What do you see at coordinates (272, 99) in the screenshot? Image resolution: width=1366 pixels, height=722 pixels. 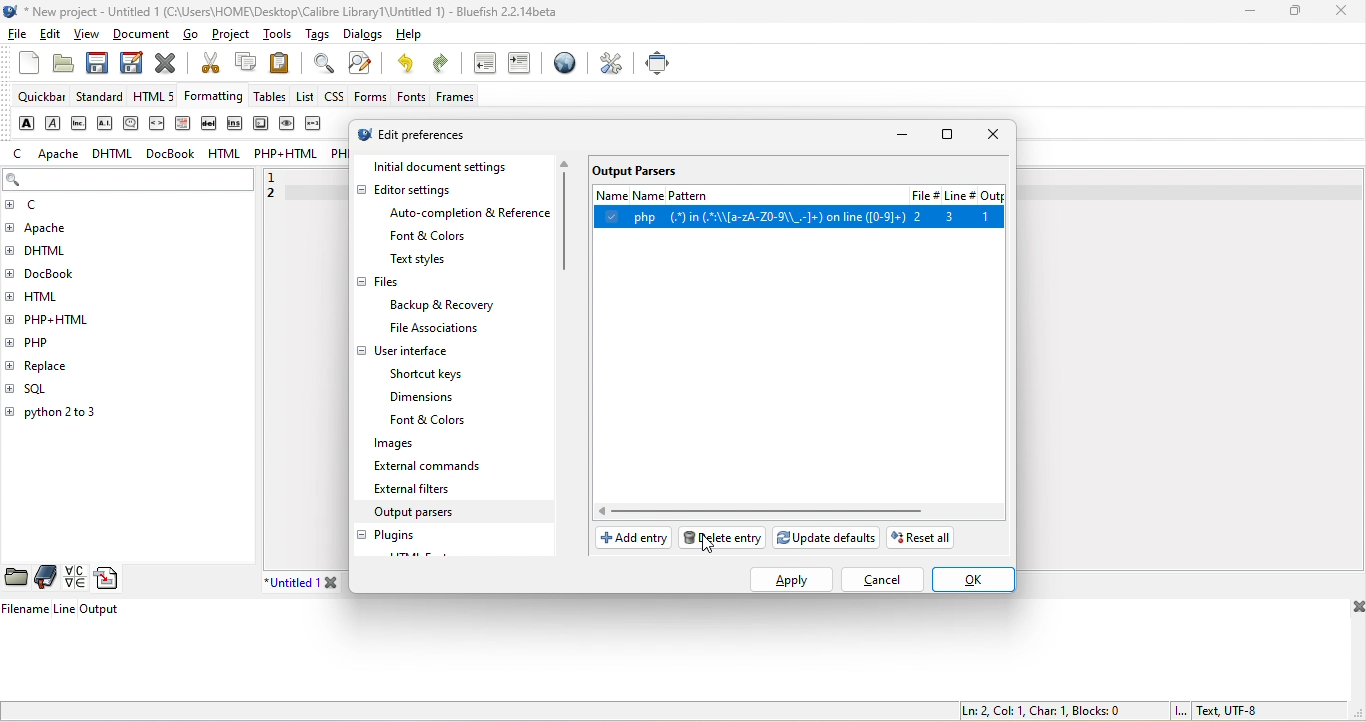 I see `tables` at bounding box center [272, 99].